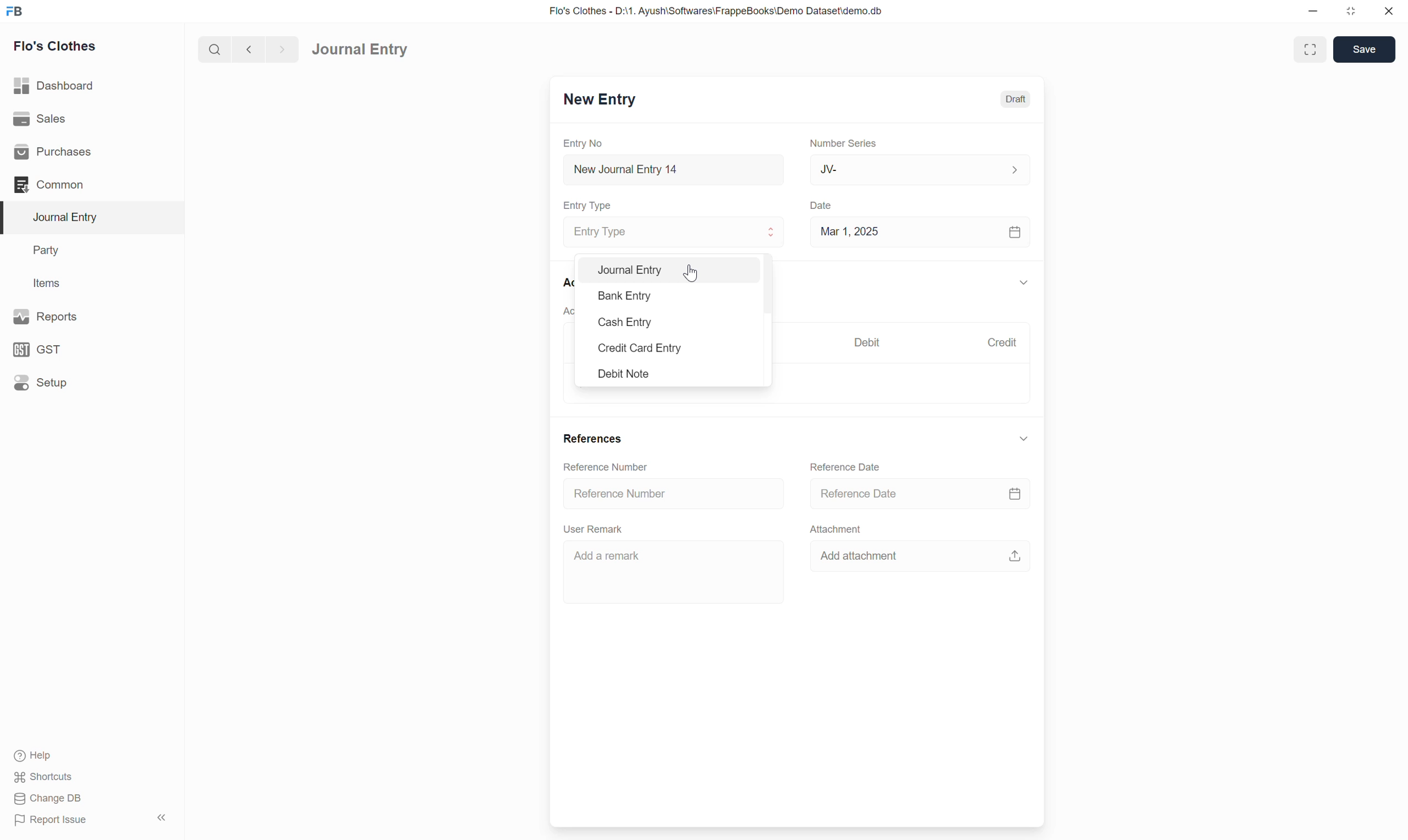  What do you see at coordinates (692, 272) in the screenshot?
I see `cursor` at bounding box center [692, 272].